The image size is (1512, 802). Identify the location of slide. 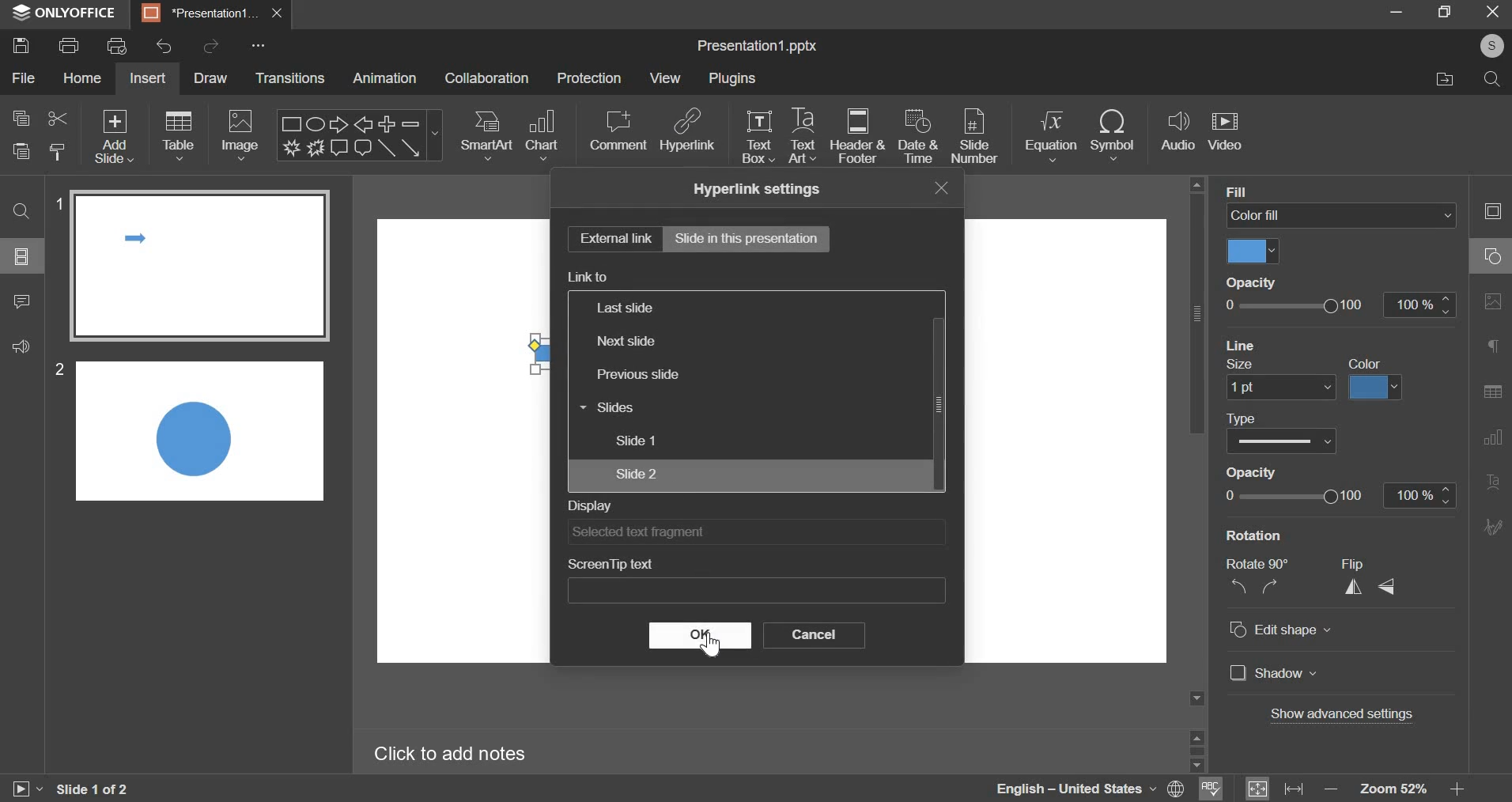
(22, 255).